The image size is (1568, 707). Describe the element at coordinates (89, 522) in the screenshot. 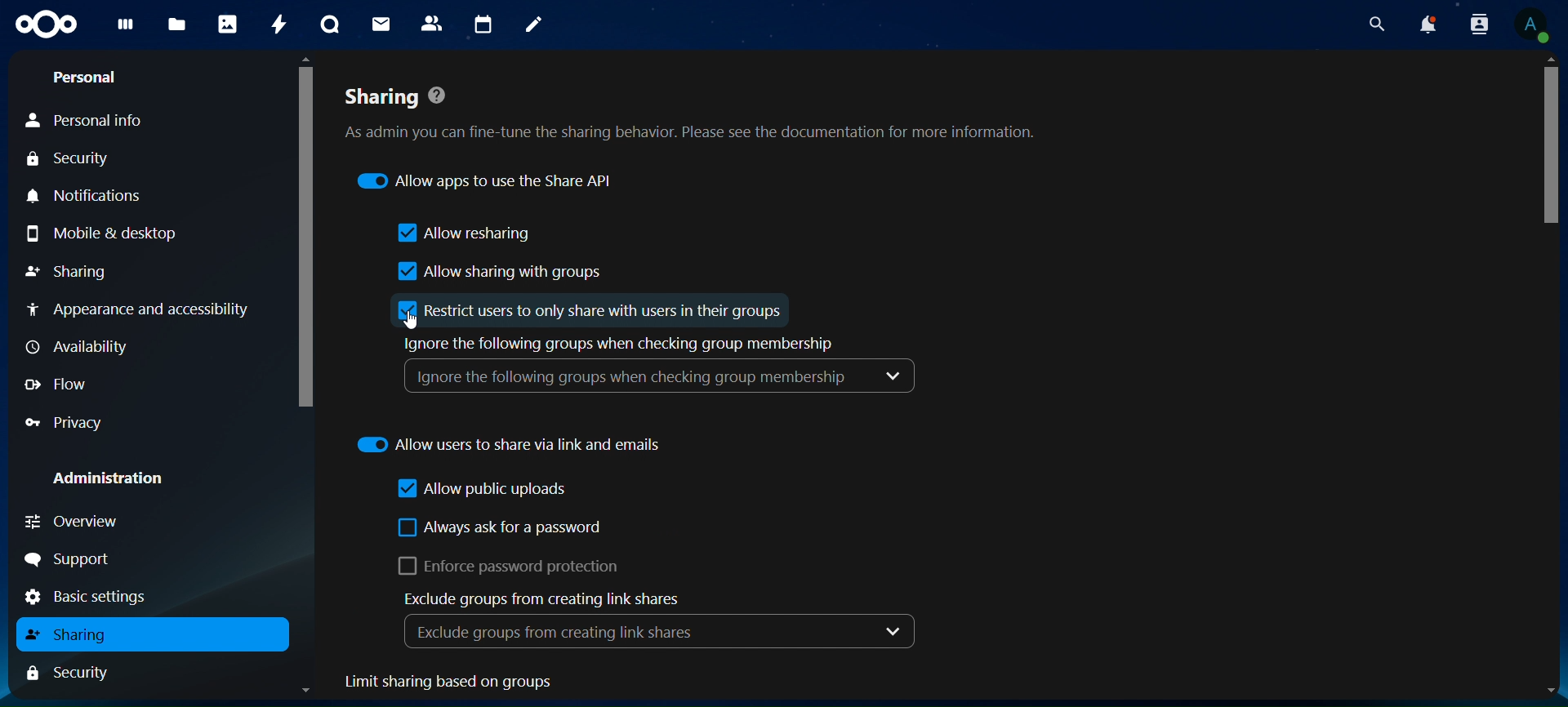

I see `overview` at that location.